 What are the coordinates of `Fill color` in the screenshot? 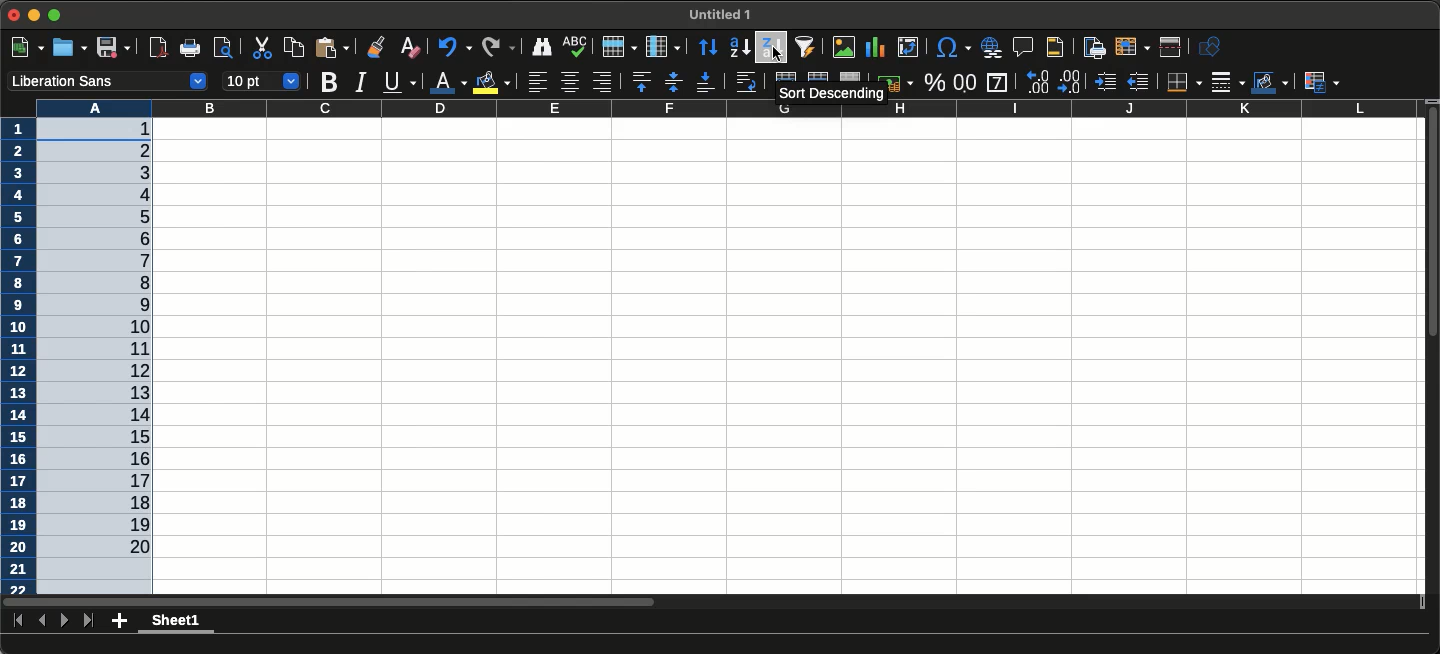 It's located at (491, 83).